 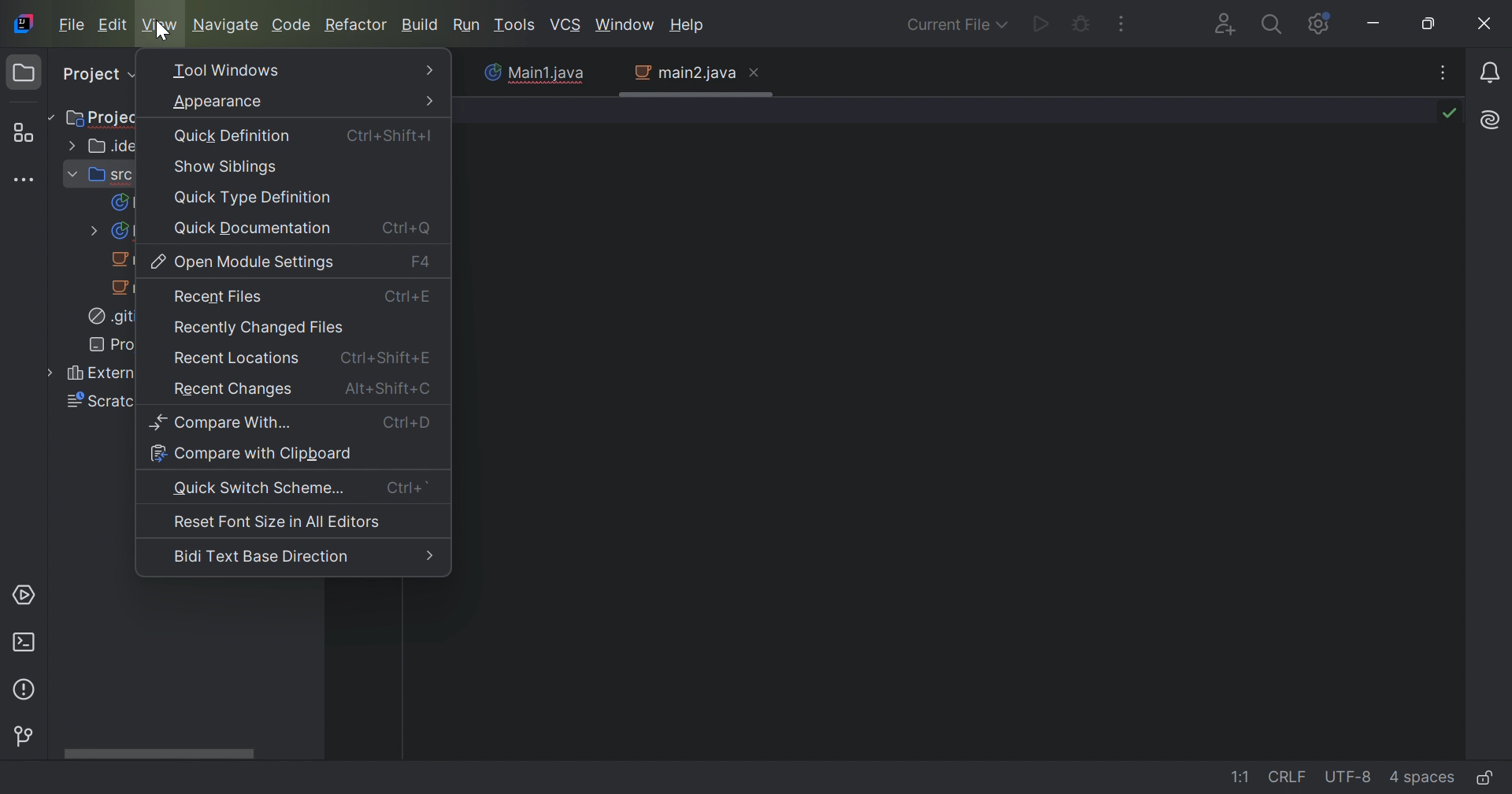 What do you see at coordinates (421, 27) in the screenshot?
I see `Build` at bounding box center [421, 27].